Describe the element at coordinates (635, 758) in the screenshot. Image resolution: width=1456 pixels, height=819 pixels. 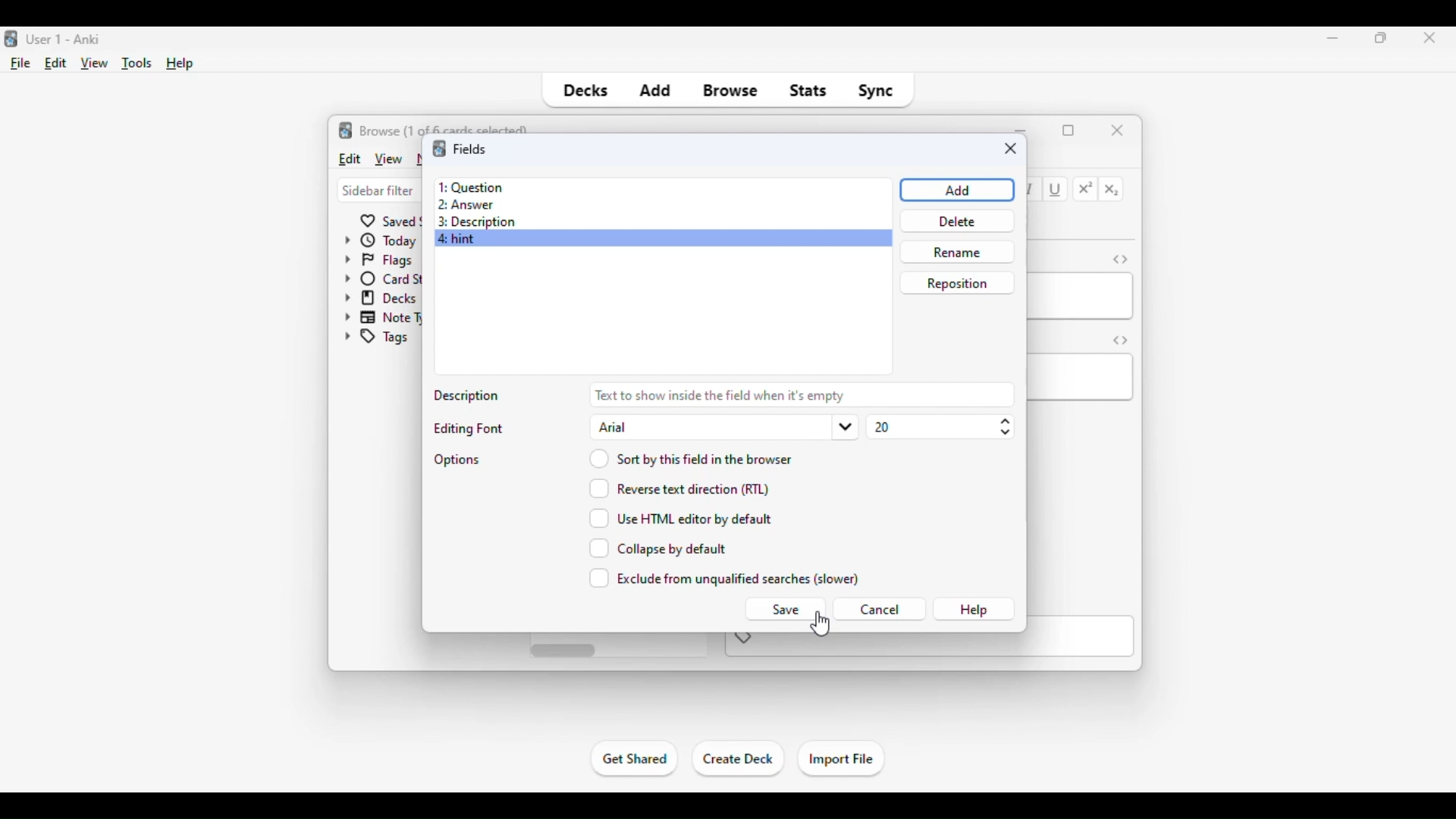
I see `get shared` at that location.